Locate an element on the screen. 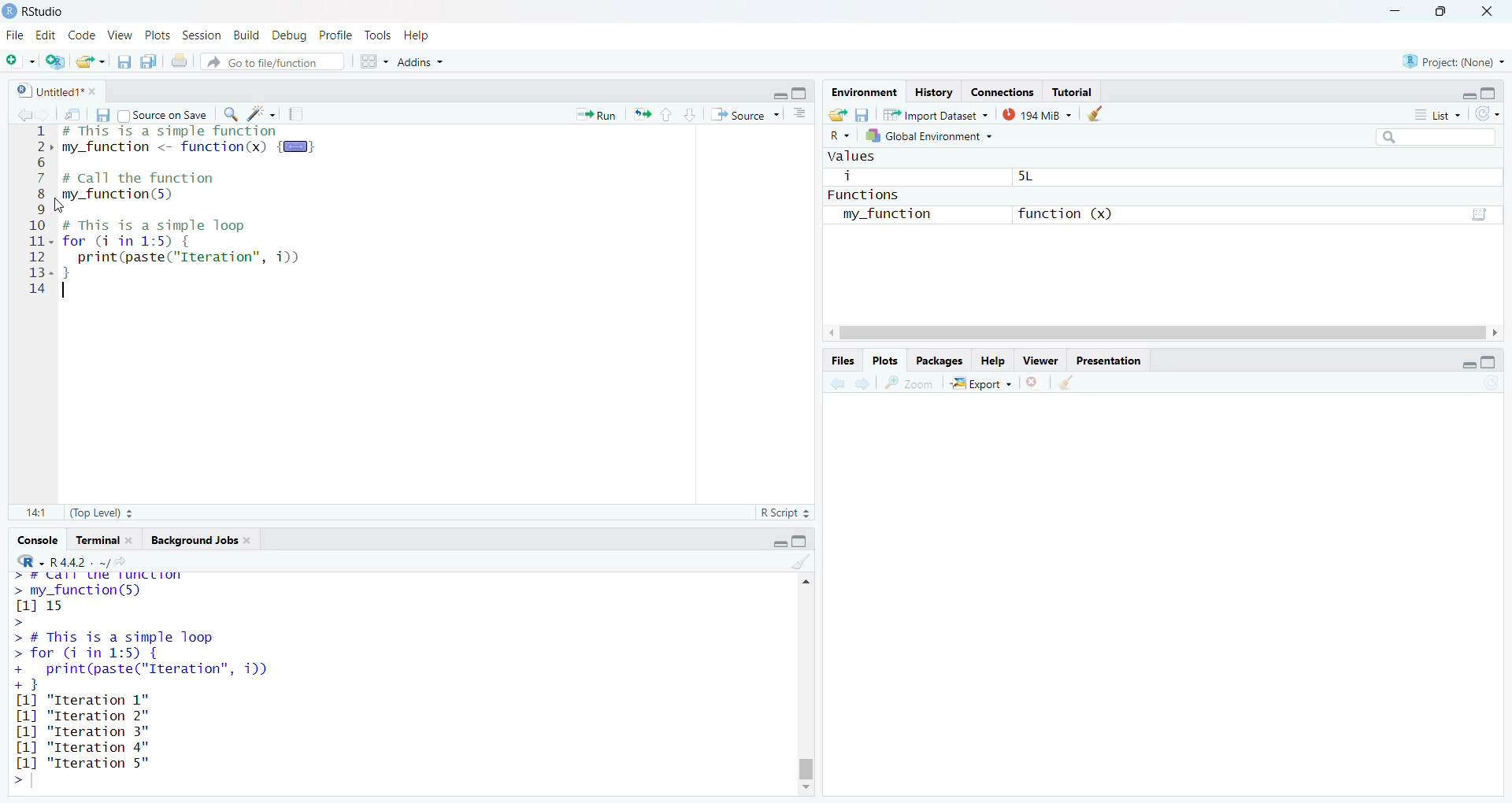  code tools is located at coordinates (262, 113).